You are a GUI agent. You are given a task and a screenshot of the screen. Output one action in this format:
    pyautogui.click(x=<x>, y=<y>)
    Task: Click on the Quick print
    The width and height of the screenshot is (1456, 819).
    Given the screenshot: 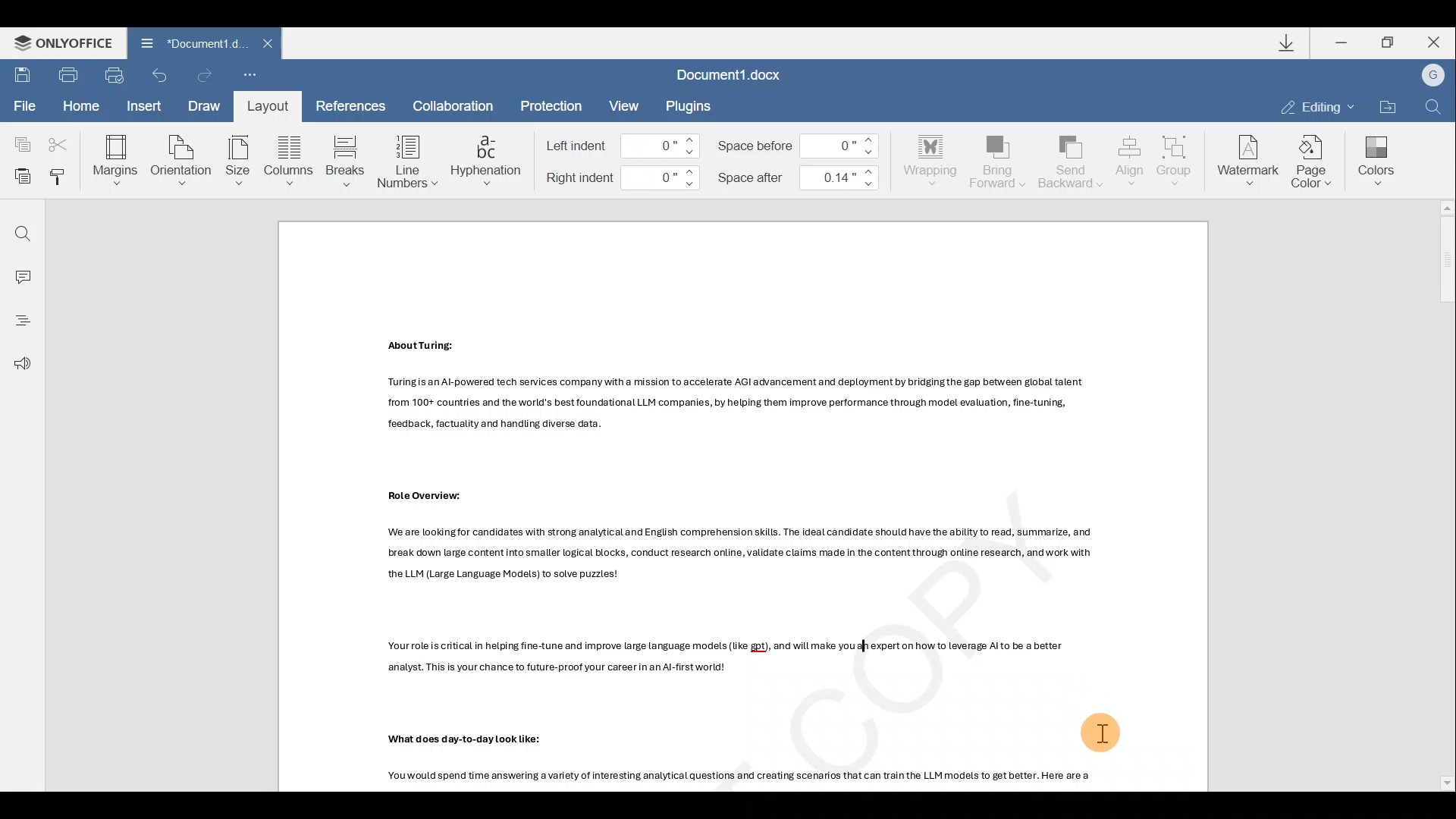 What is the action you would take?
    pyautogui.click(x=115, y=74)
    